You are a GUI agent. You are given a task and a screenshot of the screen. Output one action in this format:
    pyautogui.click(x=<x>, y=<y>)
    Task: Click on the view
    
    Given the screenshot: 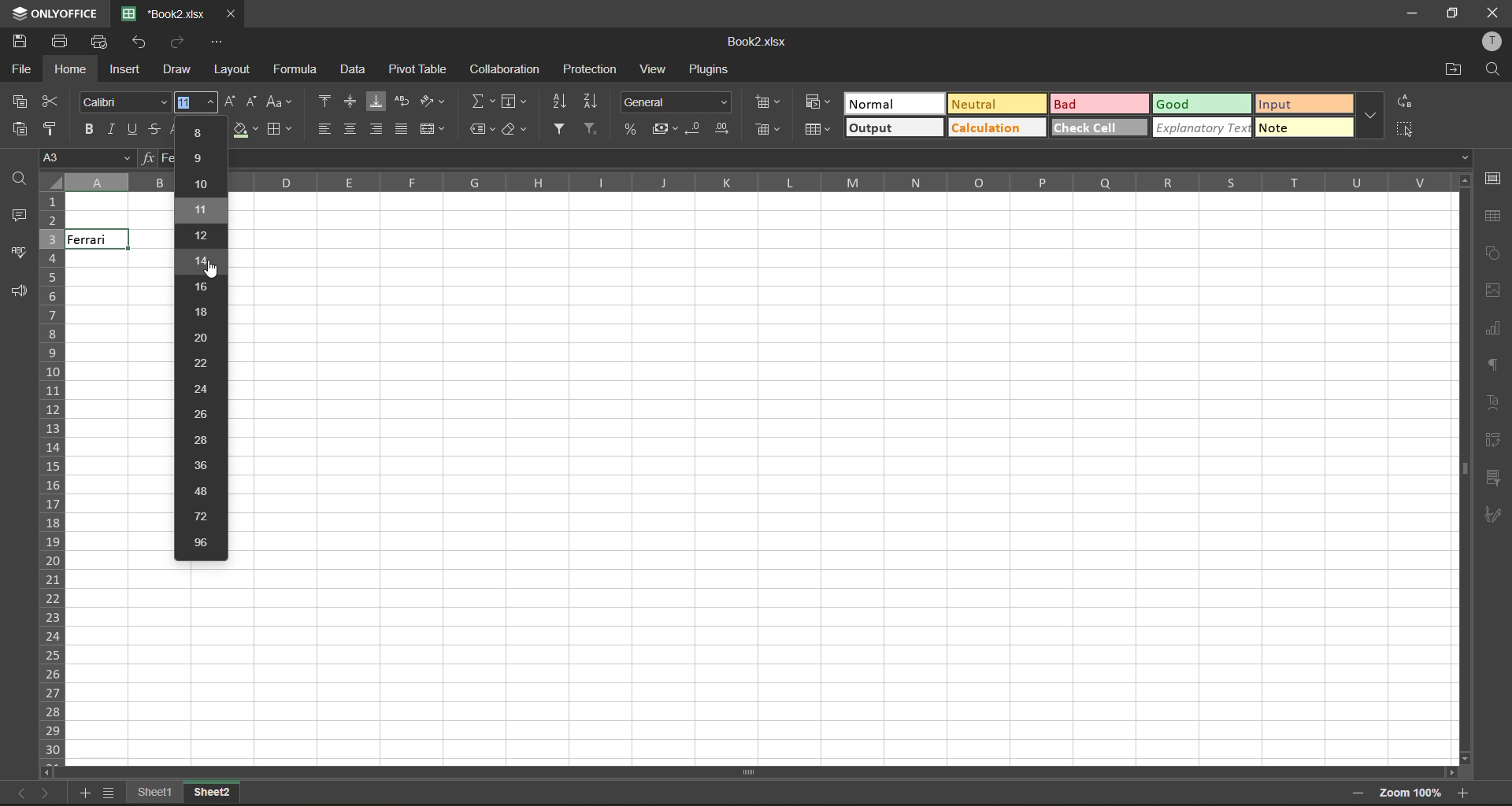 What is the action you would take?
    pyautogui.click(x=656, y=70)
    